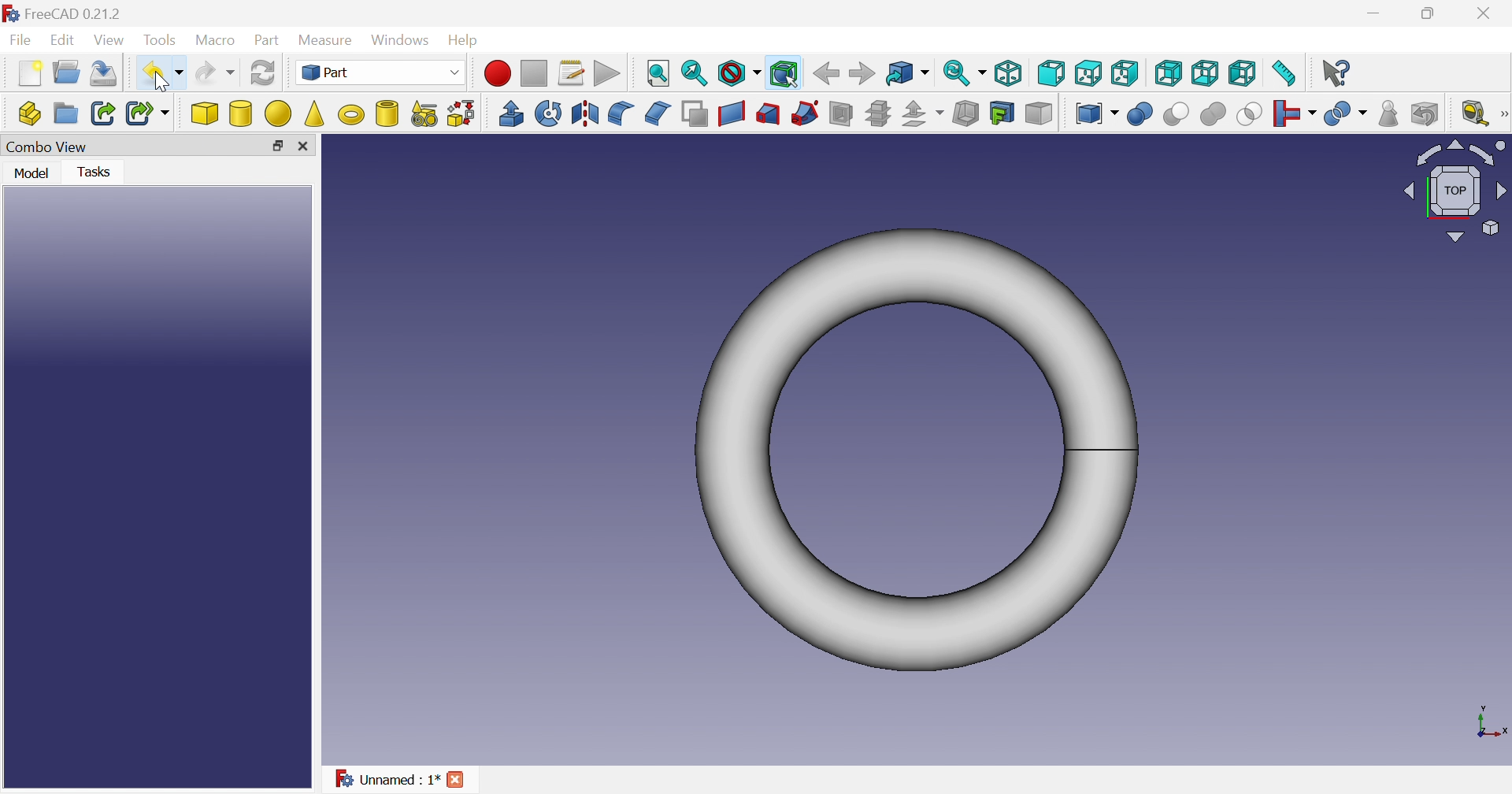 The image size is (1512, 794). Describe the element at coordinates (825, 73) in the screenshot. I see `Back` at that location.